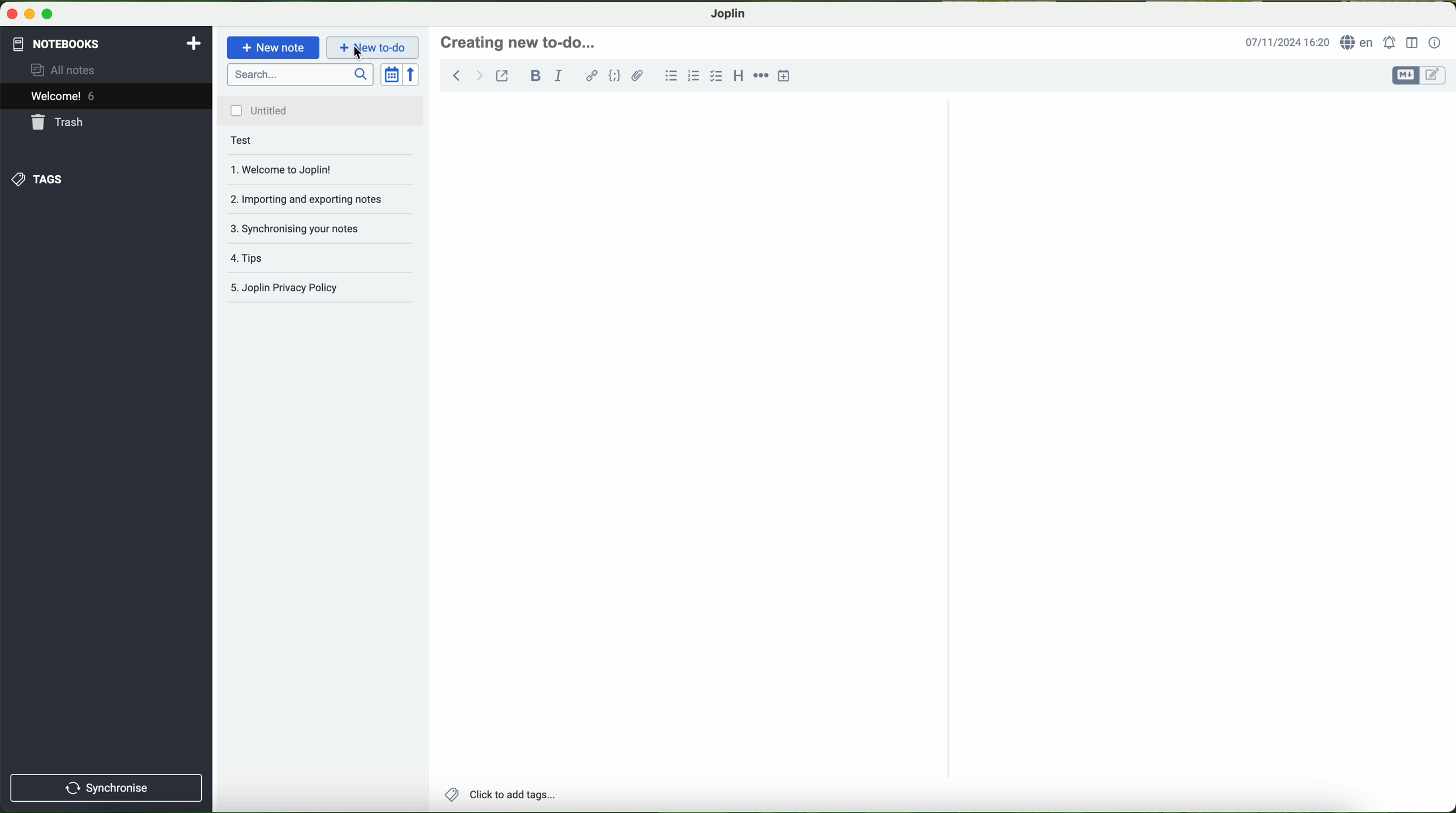 Image resolution: width=1456 pixels, height=813 pixels. I want to click on note properties, so click(1436, 43).